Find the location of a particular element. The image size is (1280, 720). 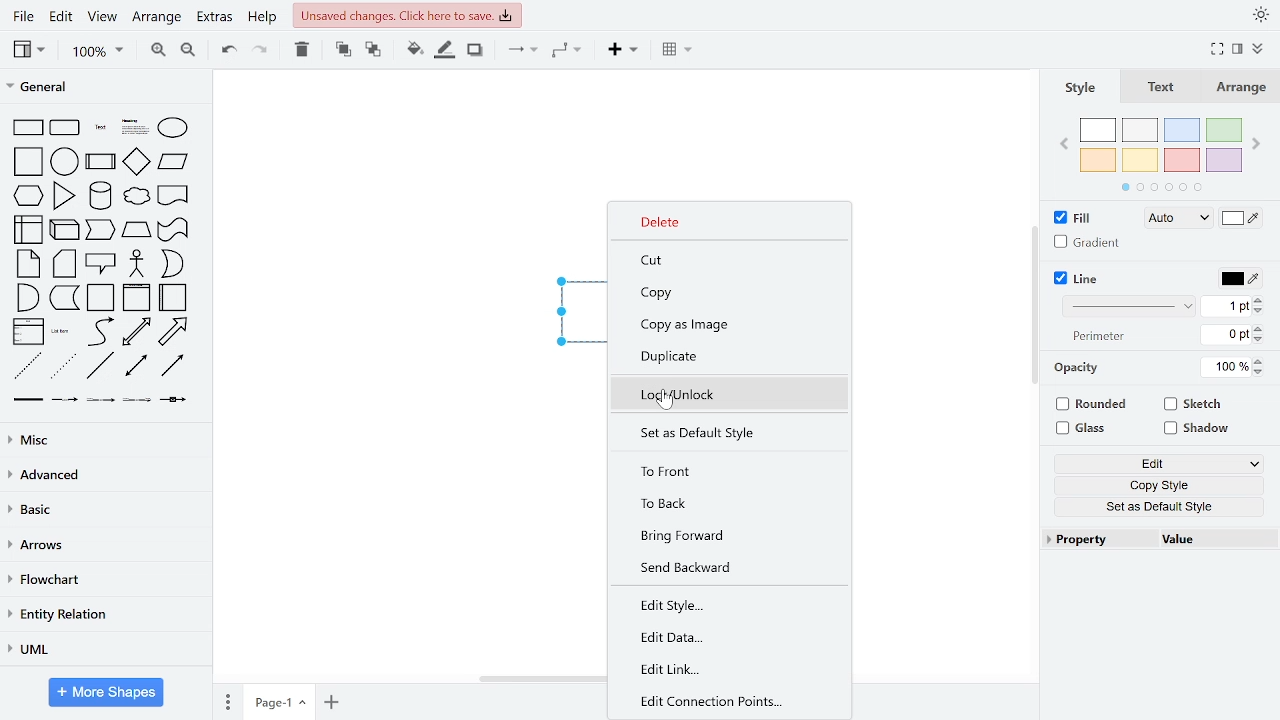

100% is located at coordinates (1226, 368).